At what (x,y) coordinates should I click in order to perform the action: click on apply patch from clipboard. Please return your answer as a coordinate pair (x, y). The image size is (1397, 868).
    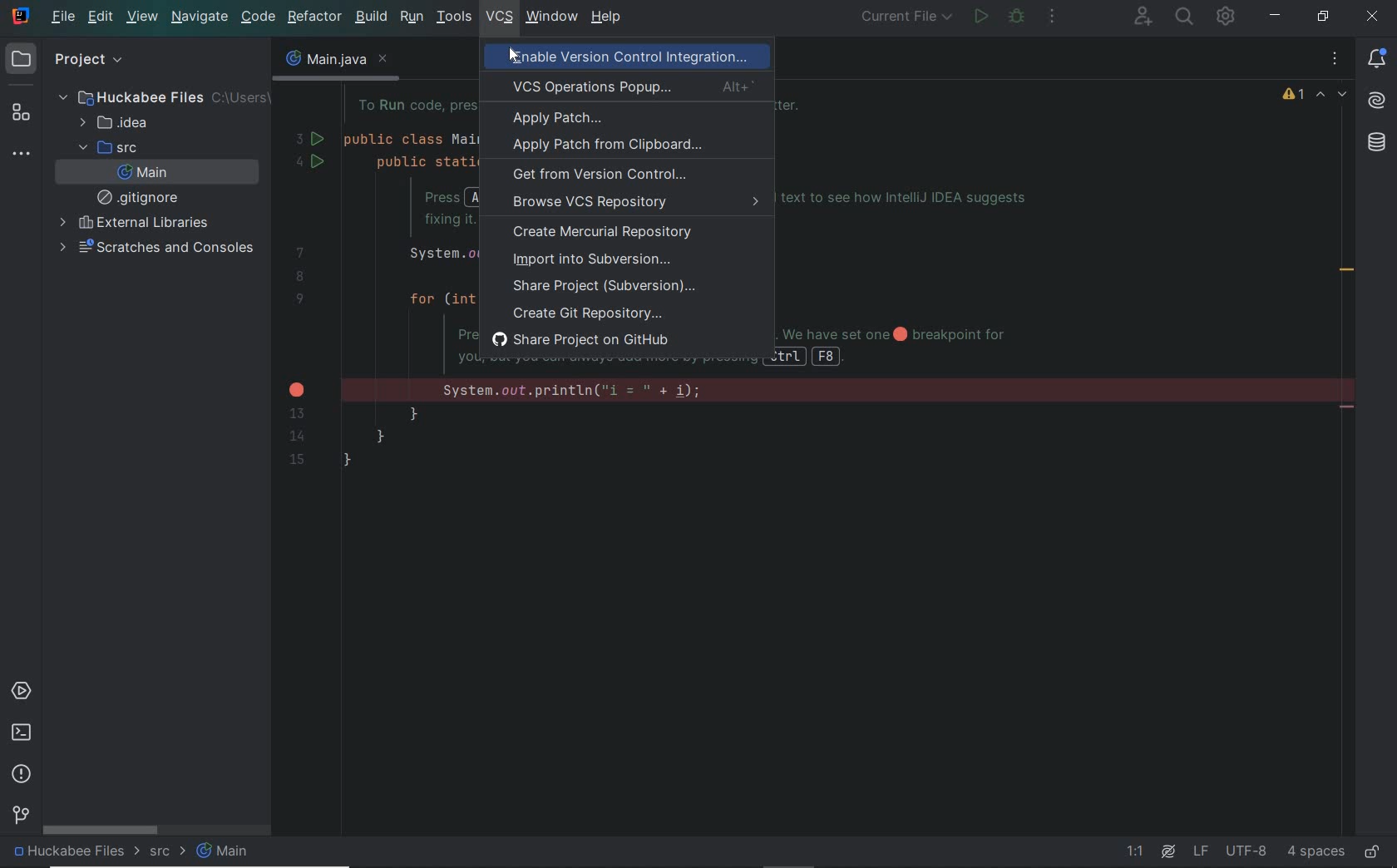
    Looking at the image, I should click on (607, 145).